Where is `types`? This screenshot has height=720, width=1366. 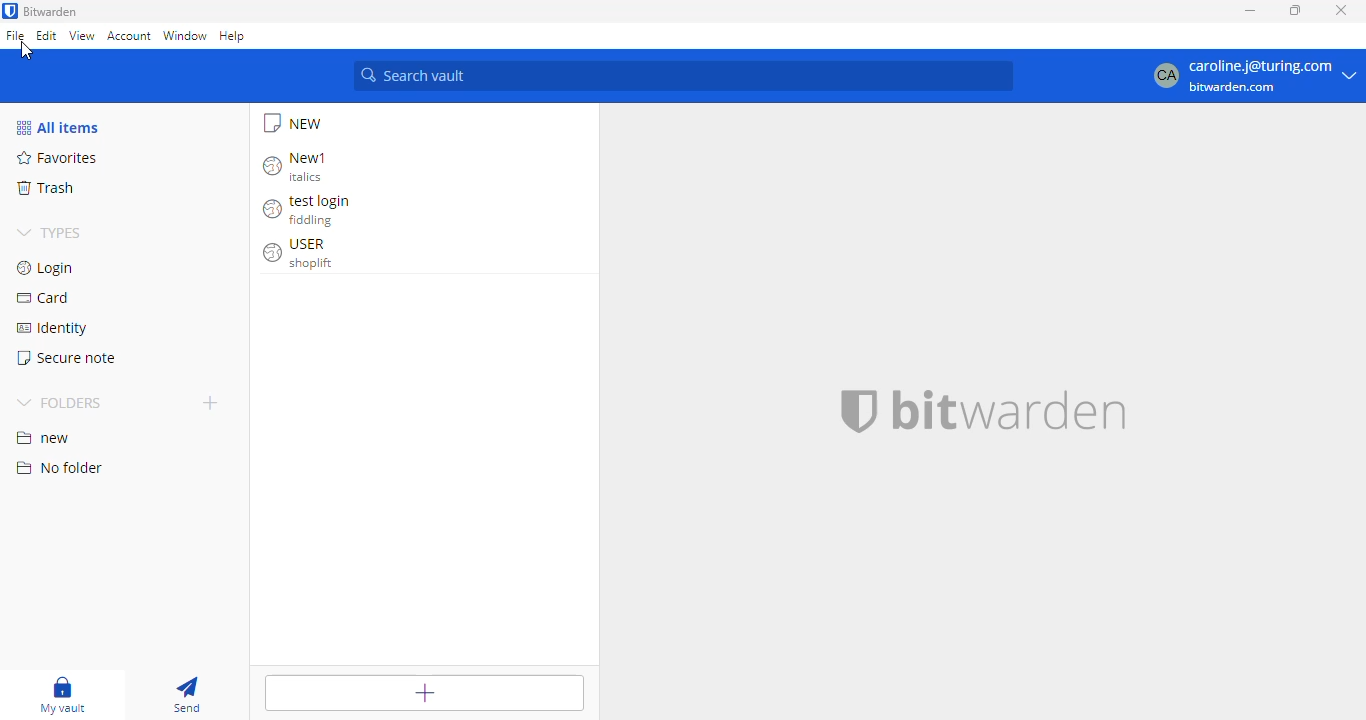 types is located at coordinates (50, 234).